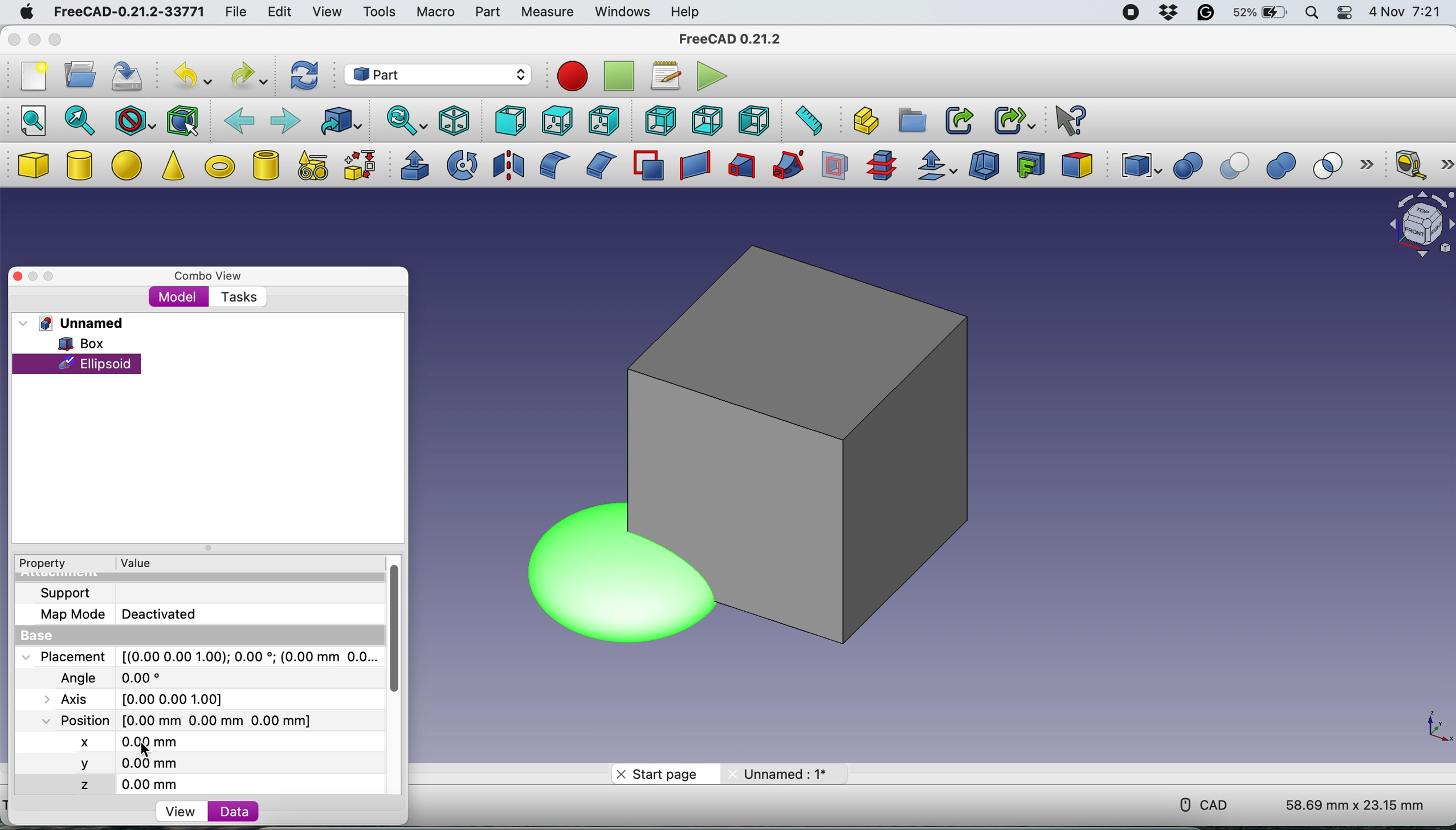 The image size is (1456, 830). What do you see at coordinates (63, 593) in the screenshot?
I see `support` at bounding box center [63, 593].